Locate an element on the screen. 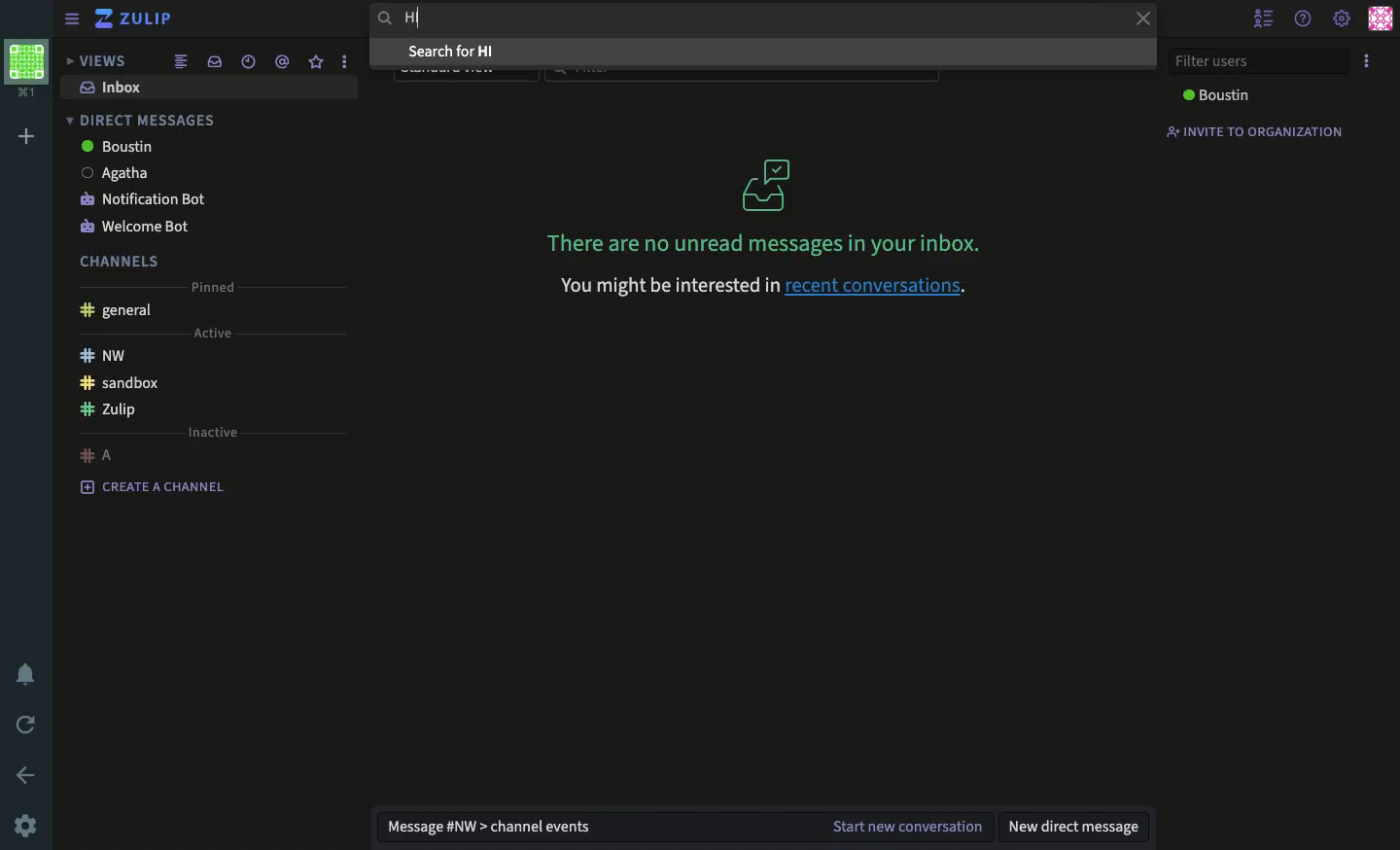  boustin is located at coordinates (1214, 95).